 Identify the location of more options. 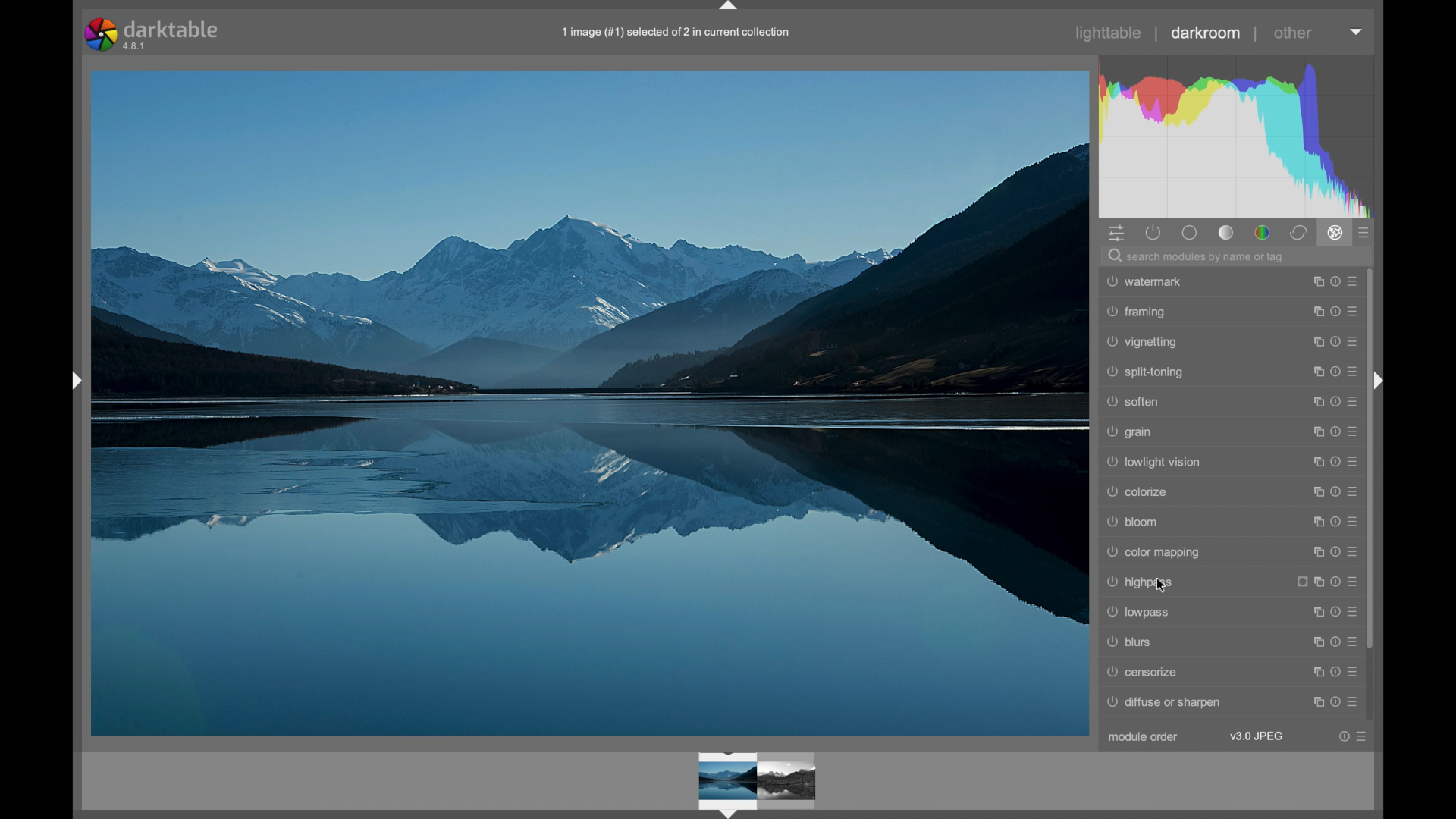
(1337, 281).